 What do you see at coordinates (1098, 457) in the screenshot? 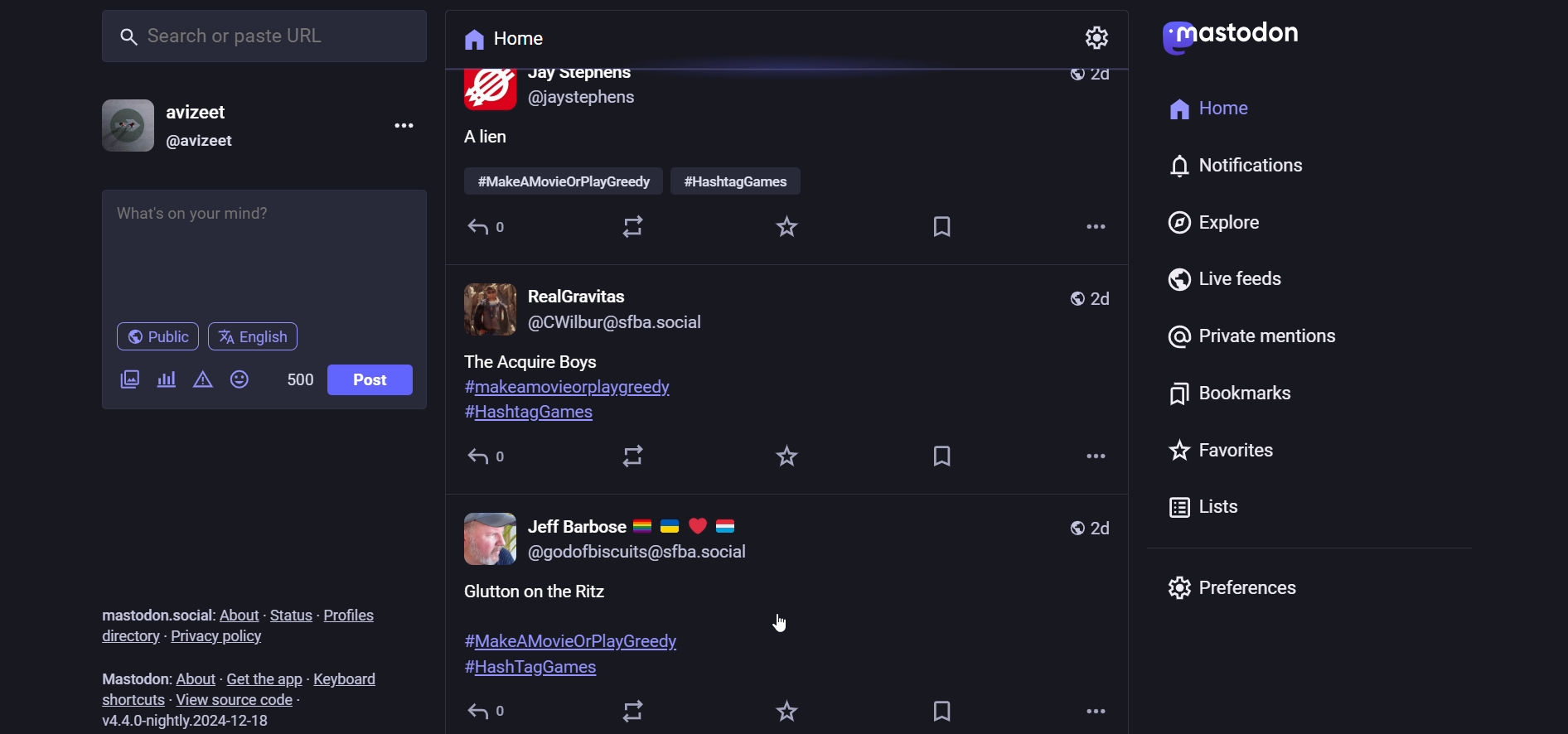
I see `more` at bounding box center [1098, 457].